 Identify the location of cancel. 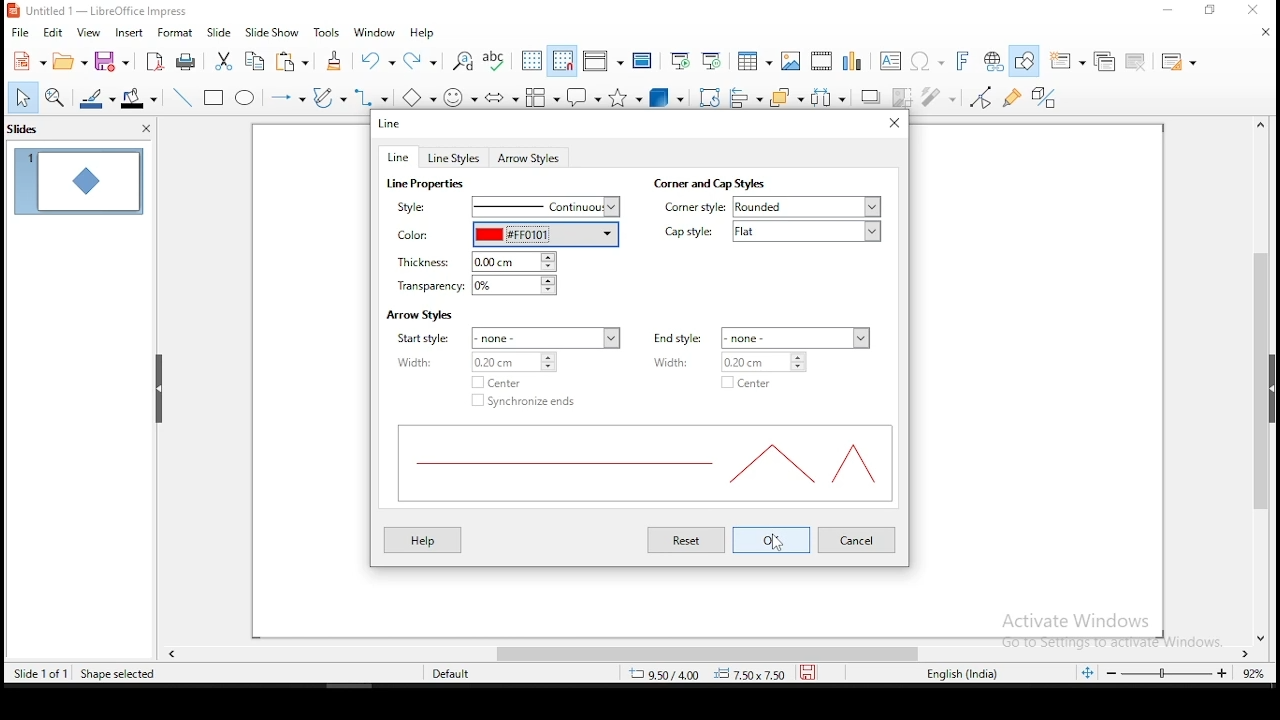
(858, 540).